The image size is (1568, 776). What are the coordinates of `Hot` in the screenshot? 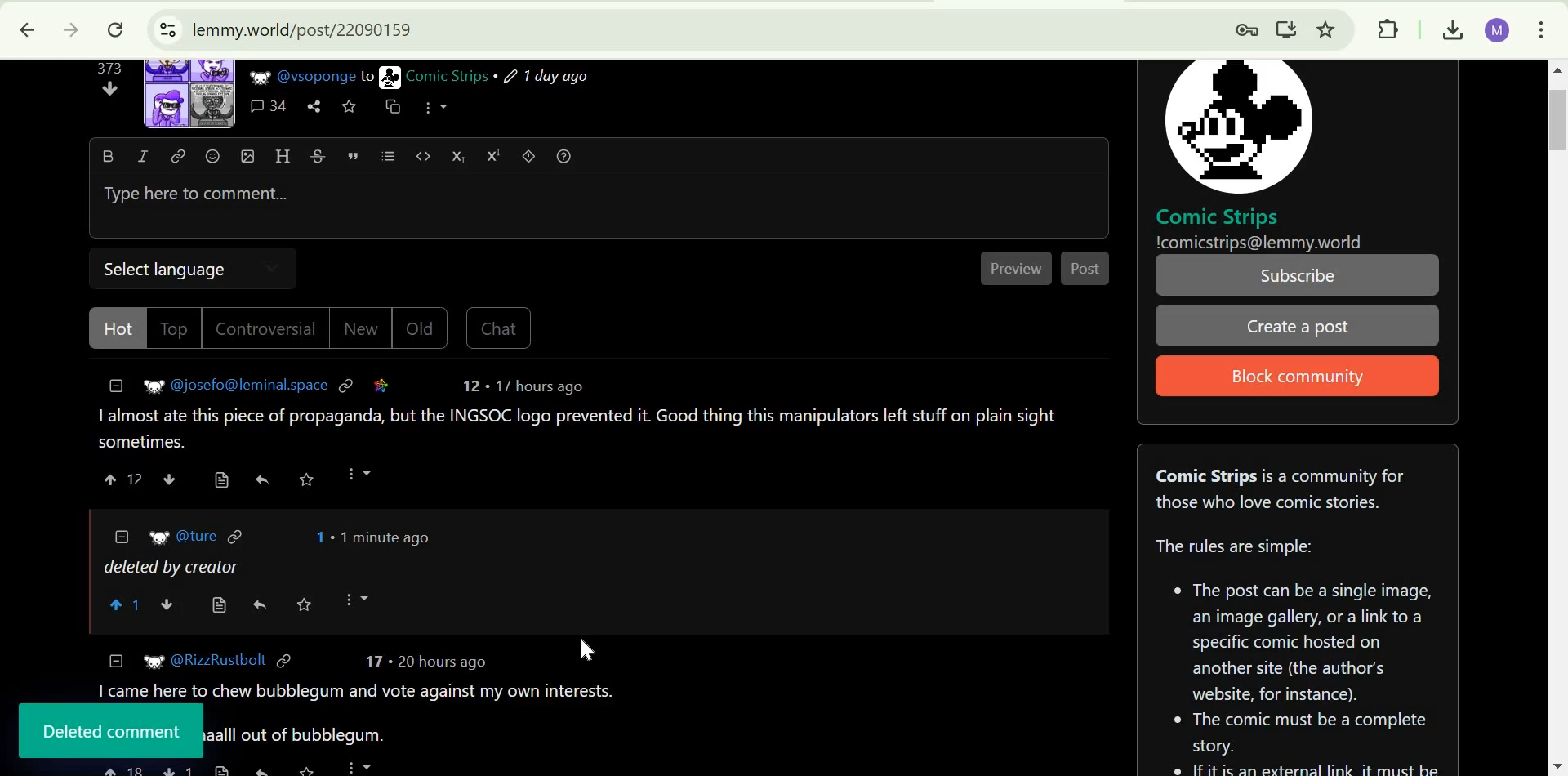 It's located at (121, 328).